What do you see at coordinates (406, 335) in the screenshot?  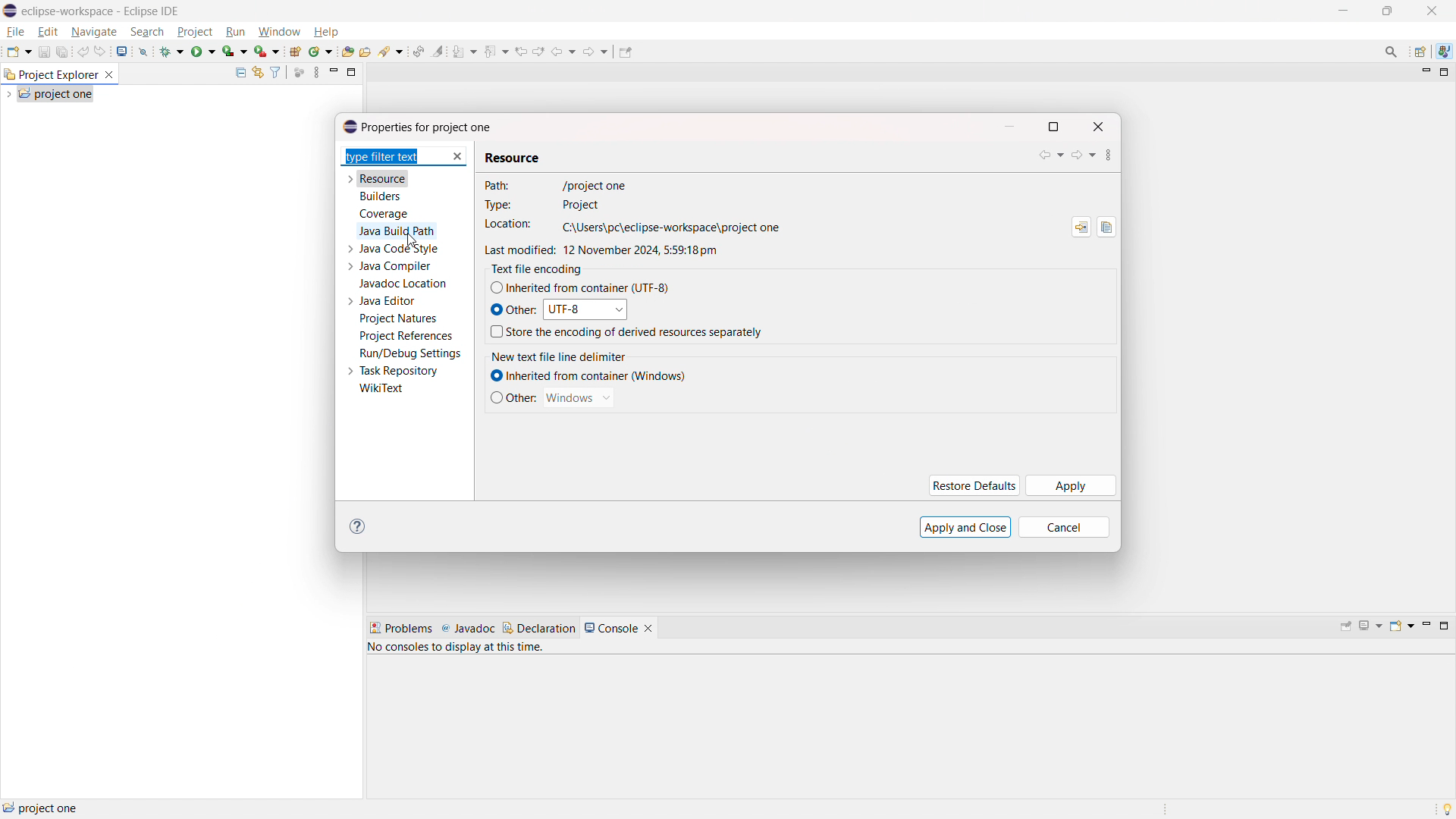 I see `project references` at bounding box center [406, 335].